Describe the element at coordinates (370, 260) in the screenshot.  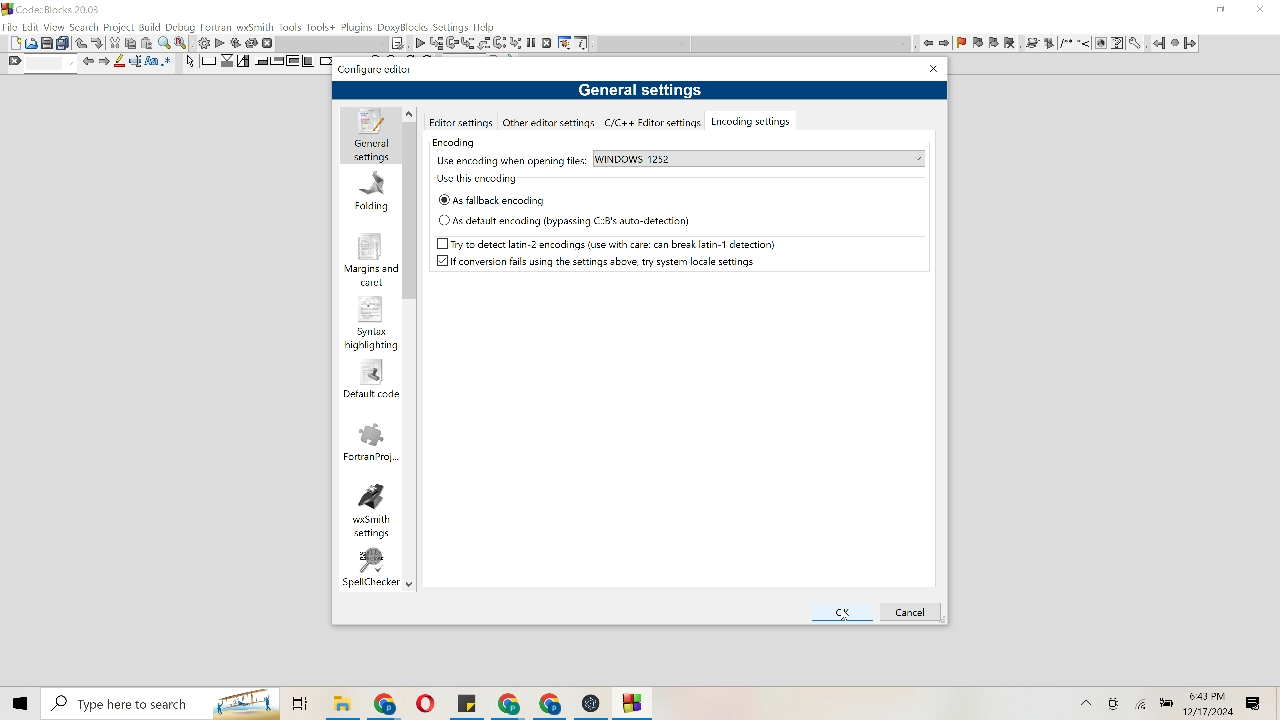
I see `Margins and carel` at that location.